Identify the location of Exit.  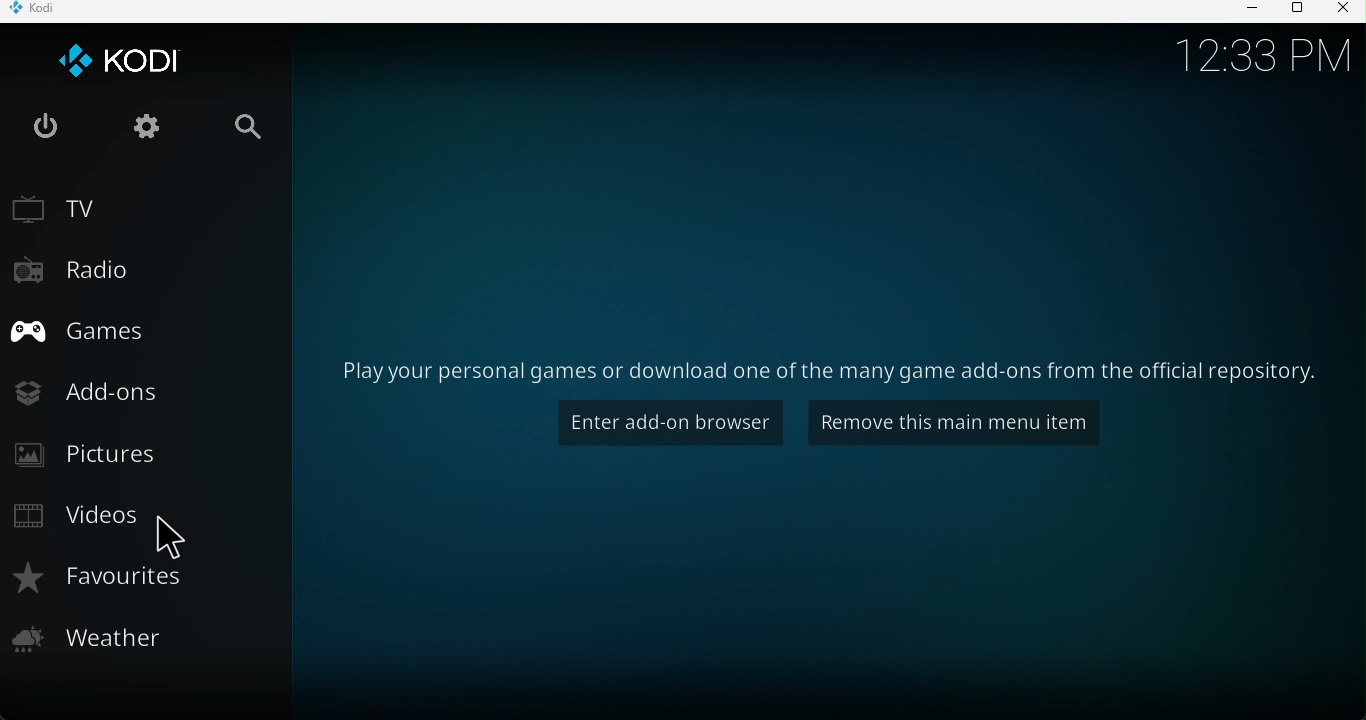
(52, 128).